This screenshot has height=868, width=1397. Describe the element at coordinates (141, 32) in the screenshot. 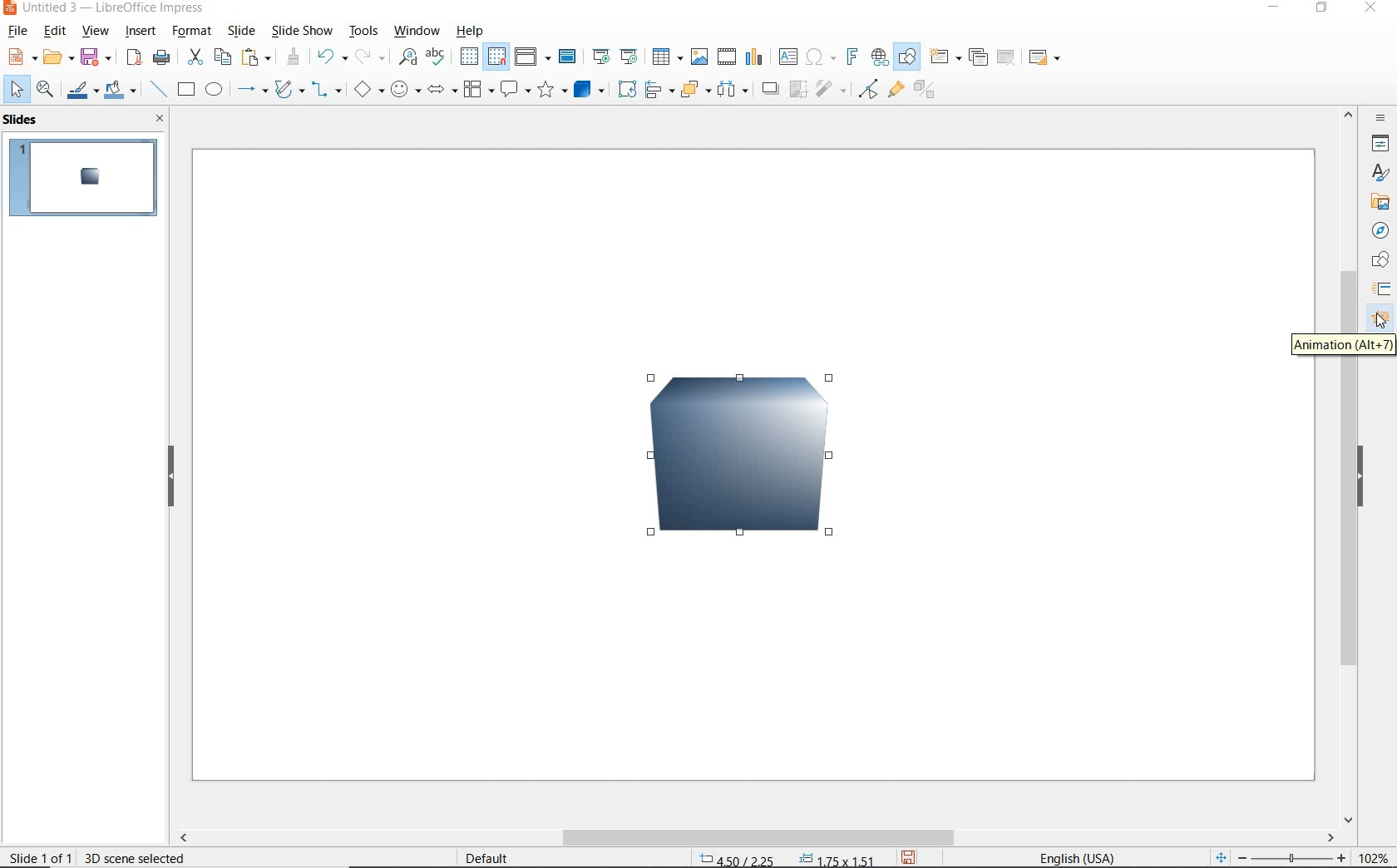

I see `insert` at that location.